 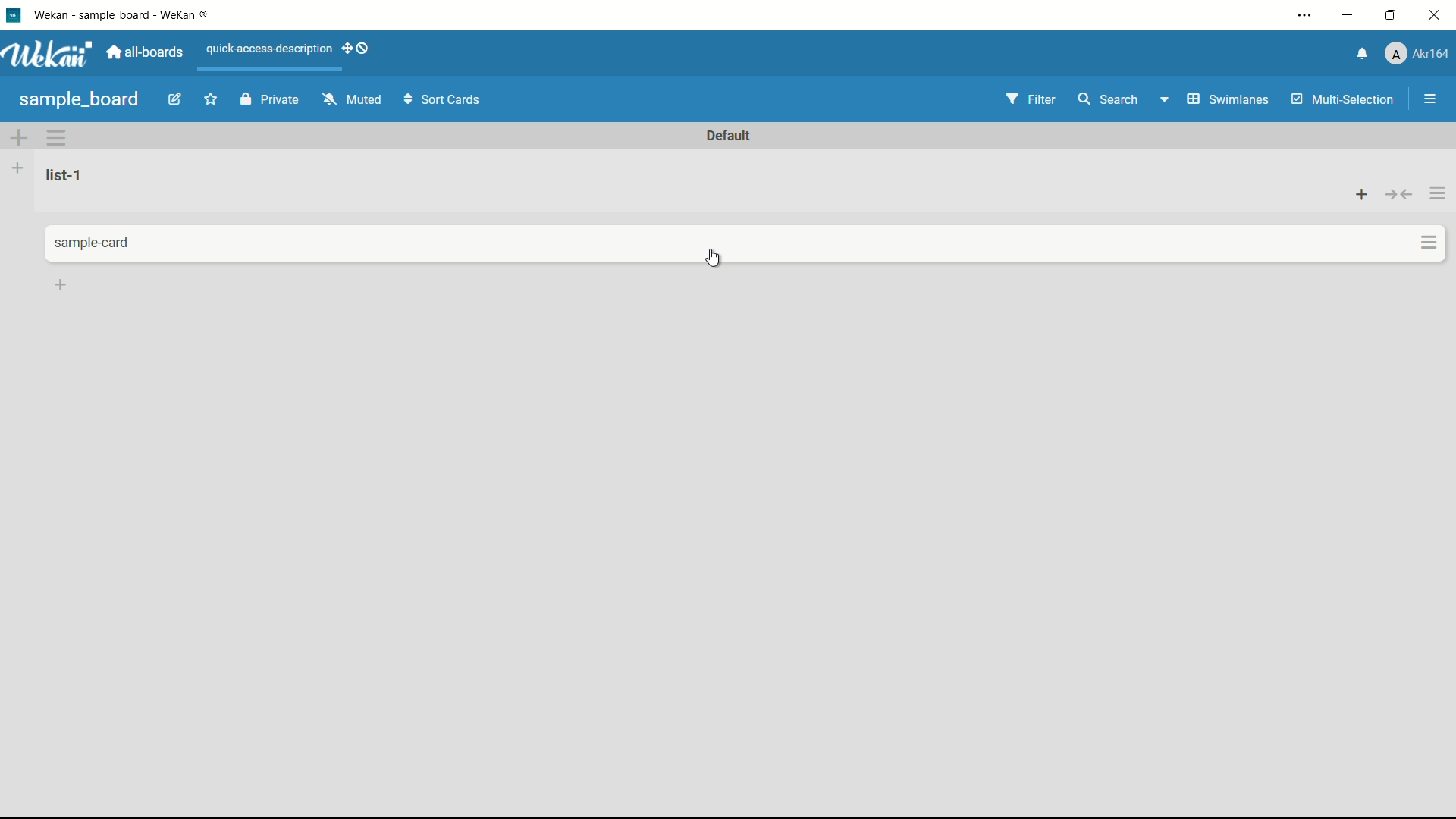 I want to click on board name, so click(x=79, y=99).